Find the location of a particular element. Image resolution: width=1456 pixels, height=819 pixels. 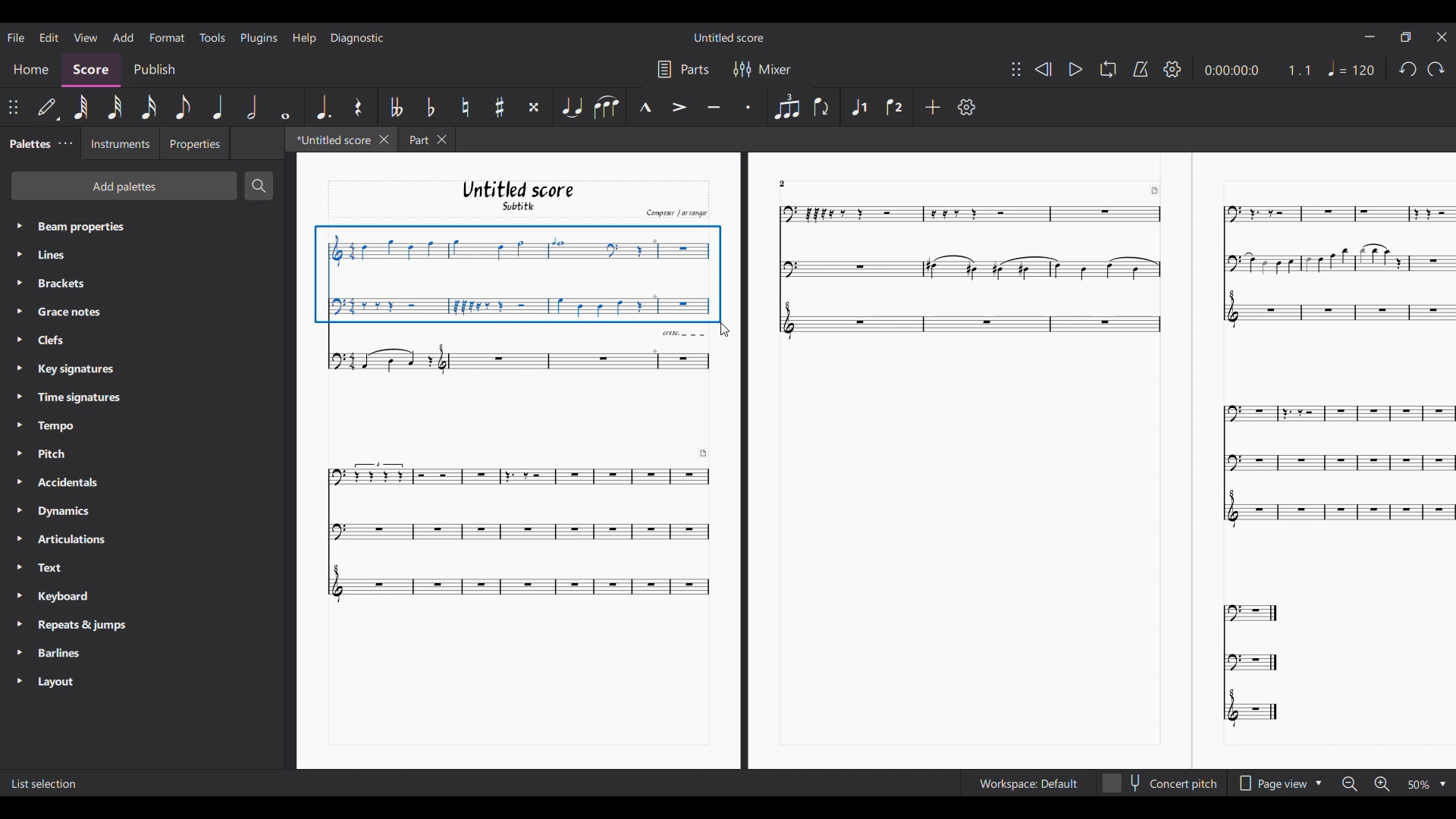

Comput arrange is located at coordinates (673, 212).